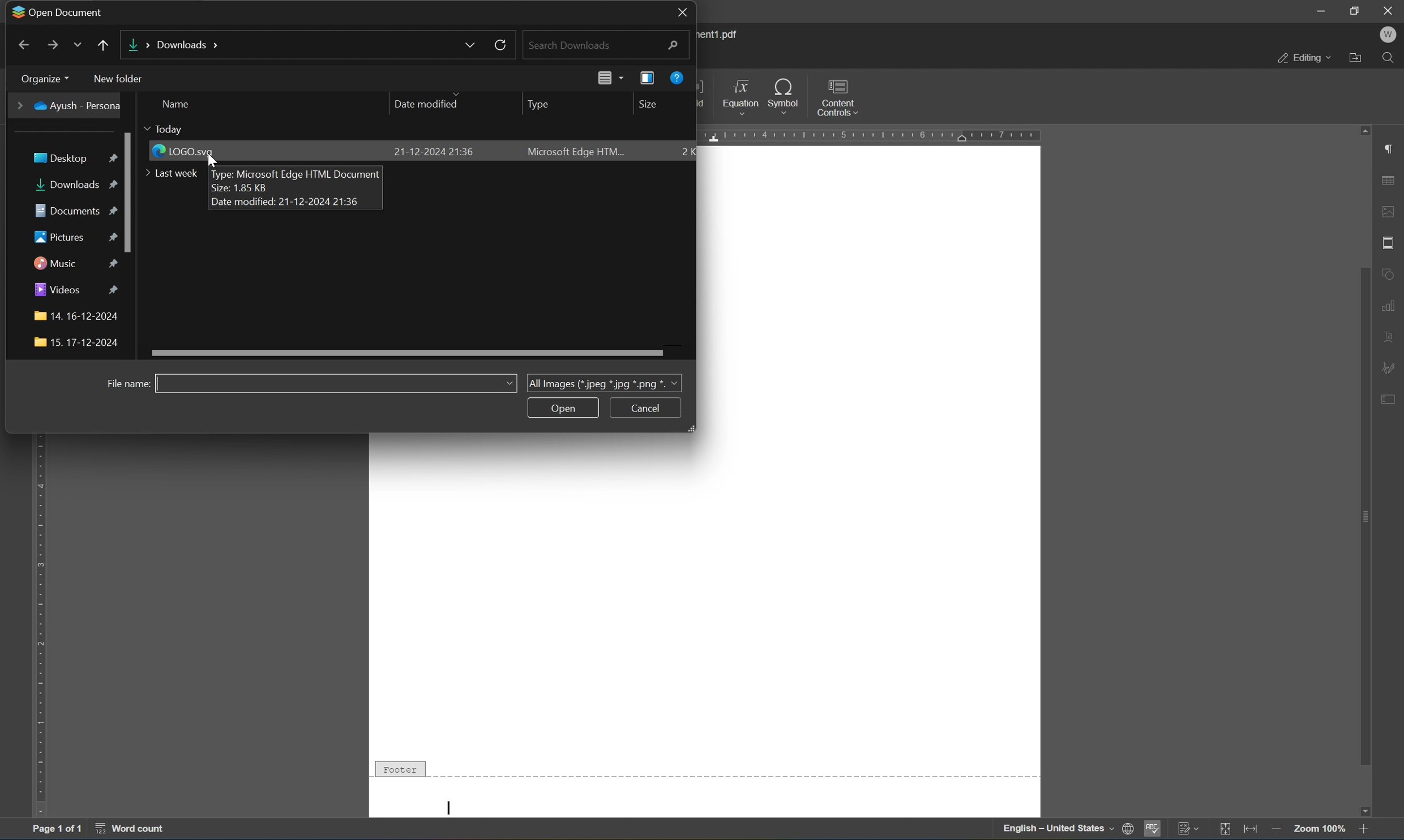  I want to click on shape settings, so click(1391, 272).